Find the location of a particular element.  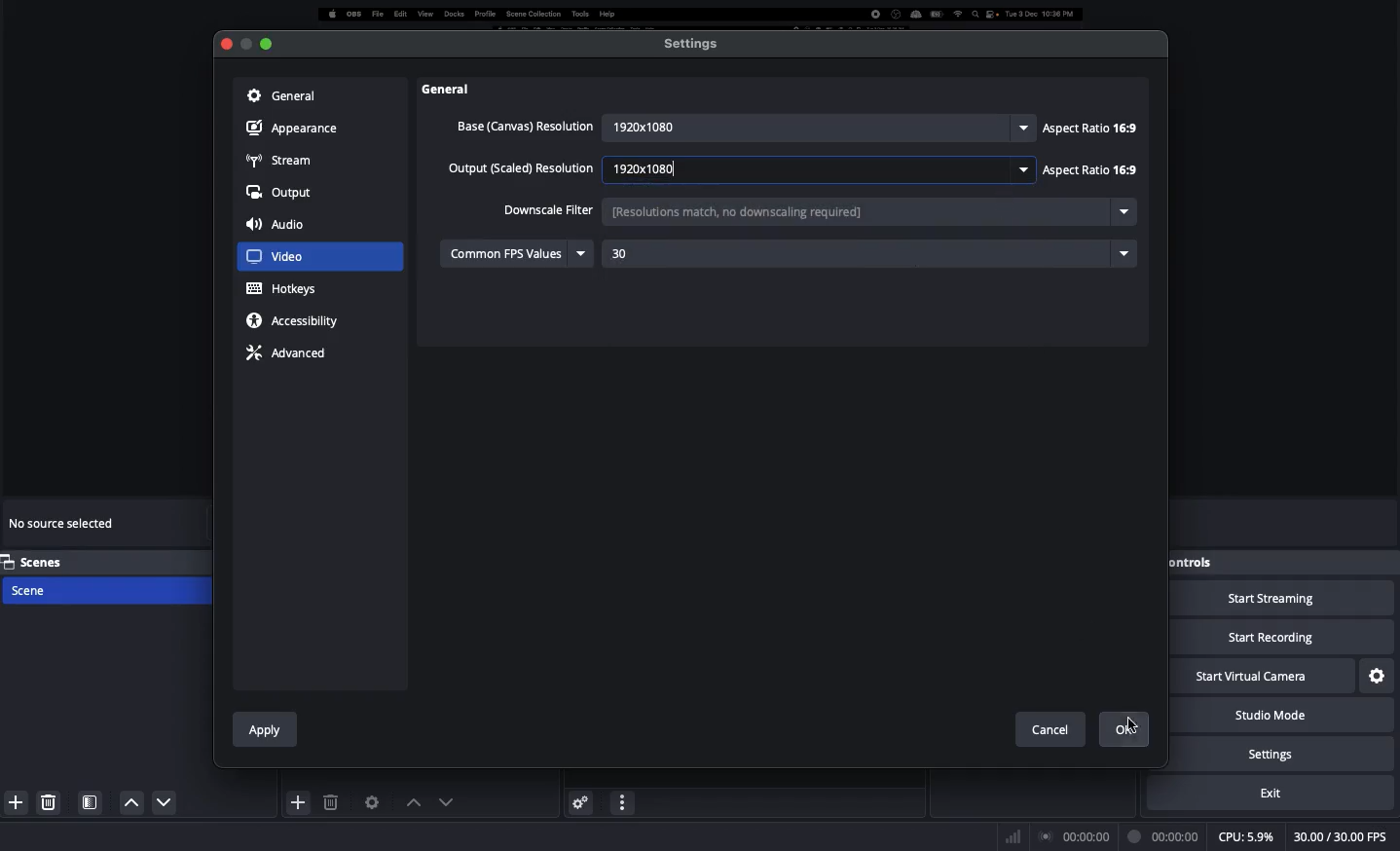

Stream is located at coordinates (279, 159).